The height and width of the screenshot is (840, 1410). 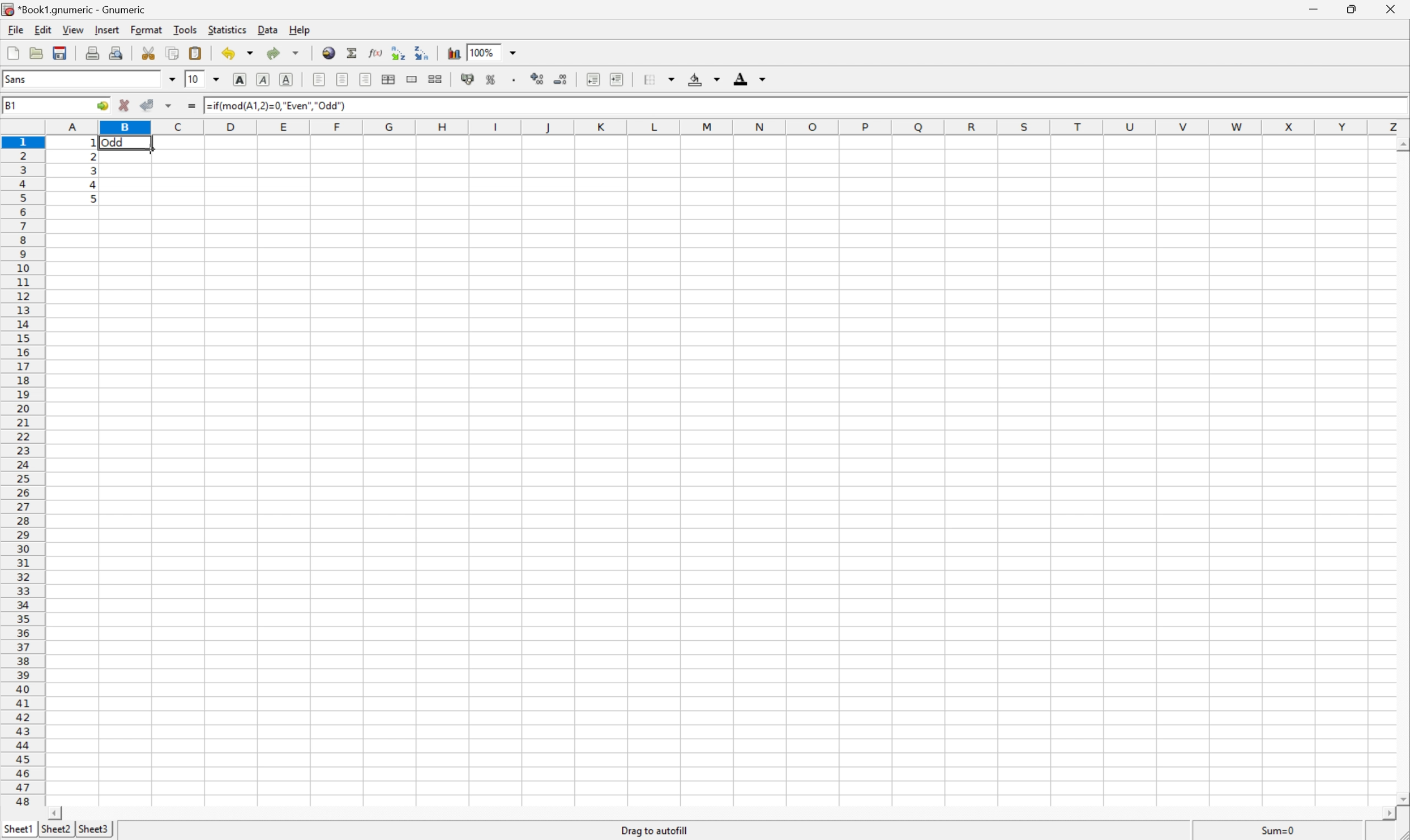 What do you see at coordinates (59, 812) in the screenshot?
I see `Scroll Left` at bounding box center [59, 812].